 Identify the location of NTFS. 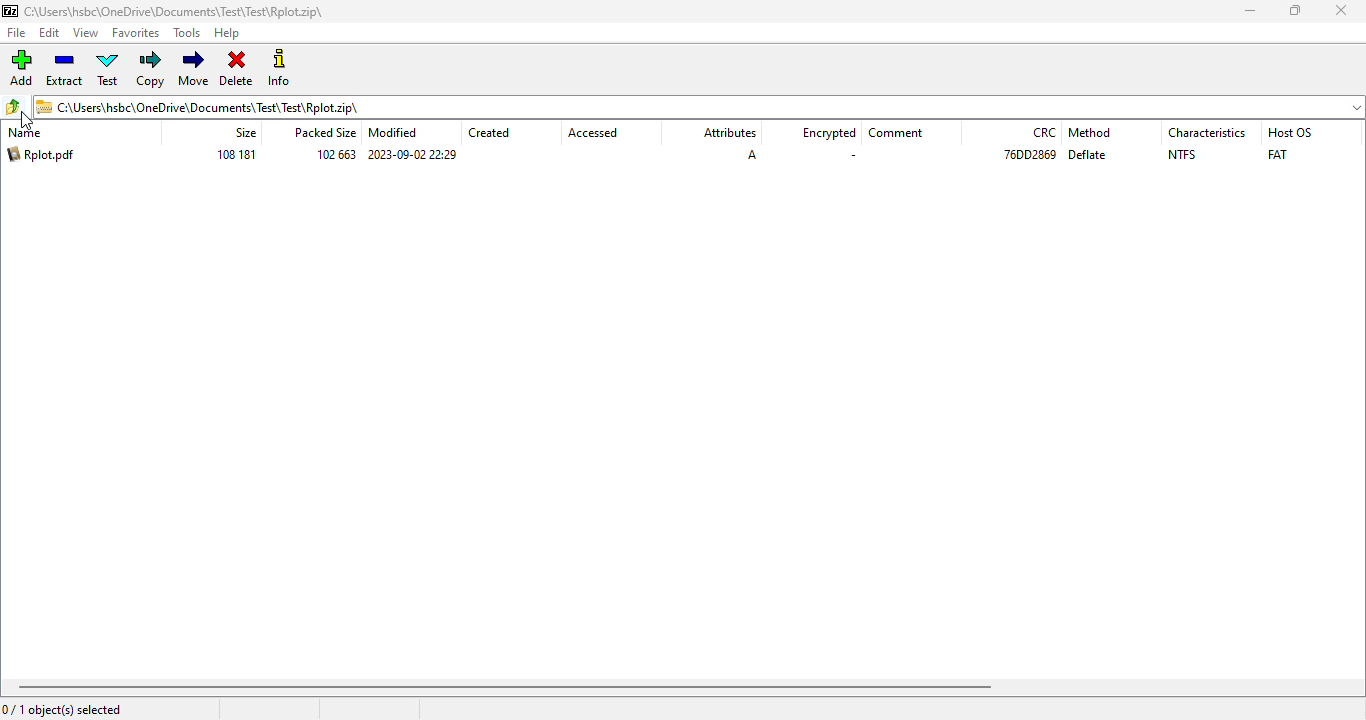
(1184, 156).